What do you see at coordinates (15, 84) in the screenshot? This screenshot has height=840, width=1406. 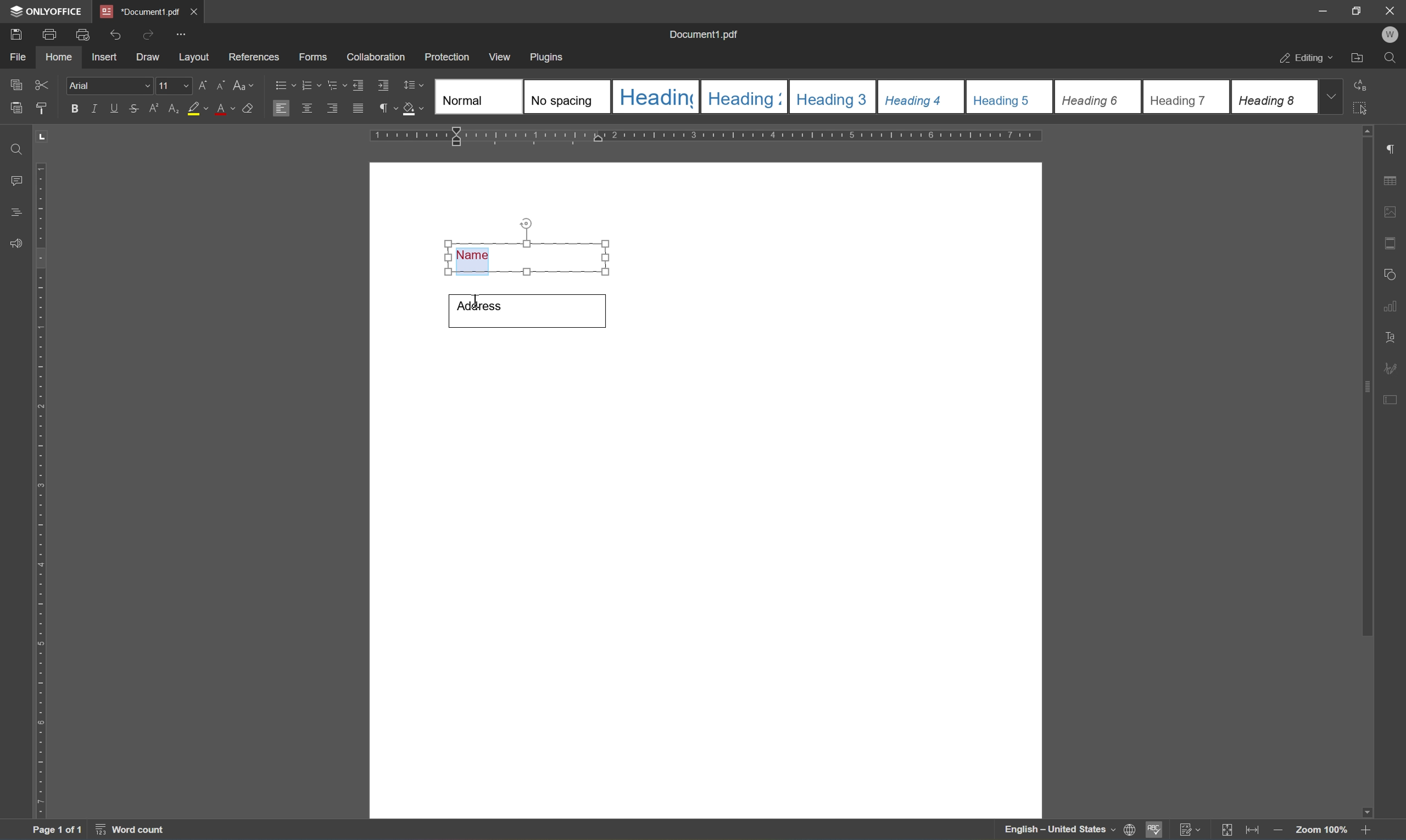 I see `copy` at bounding box center [15, 84].